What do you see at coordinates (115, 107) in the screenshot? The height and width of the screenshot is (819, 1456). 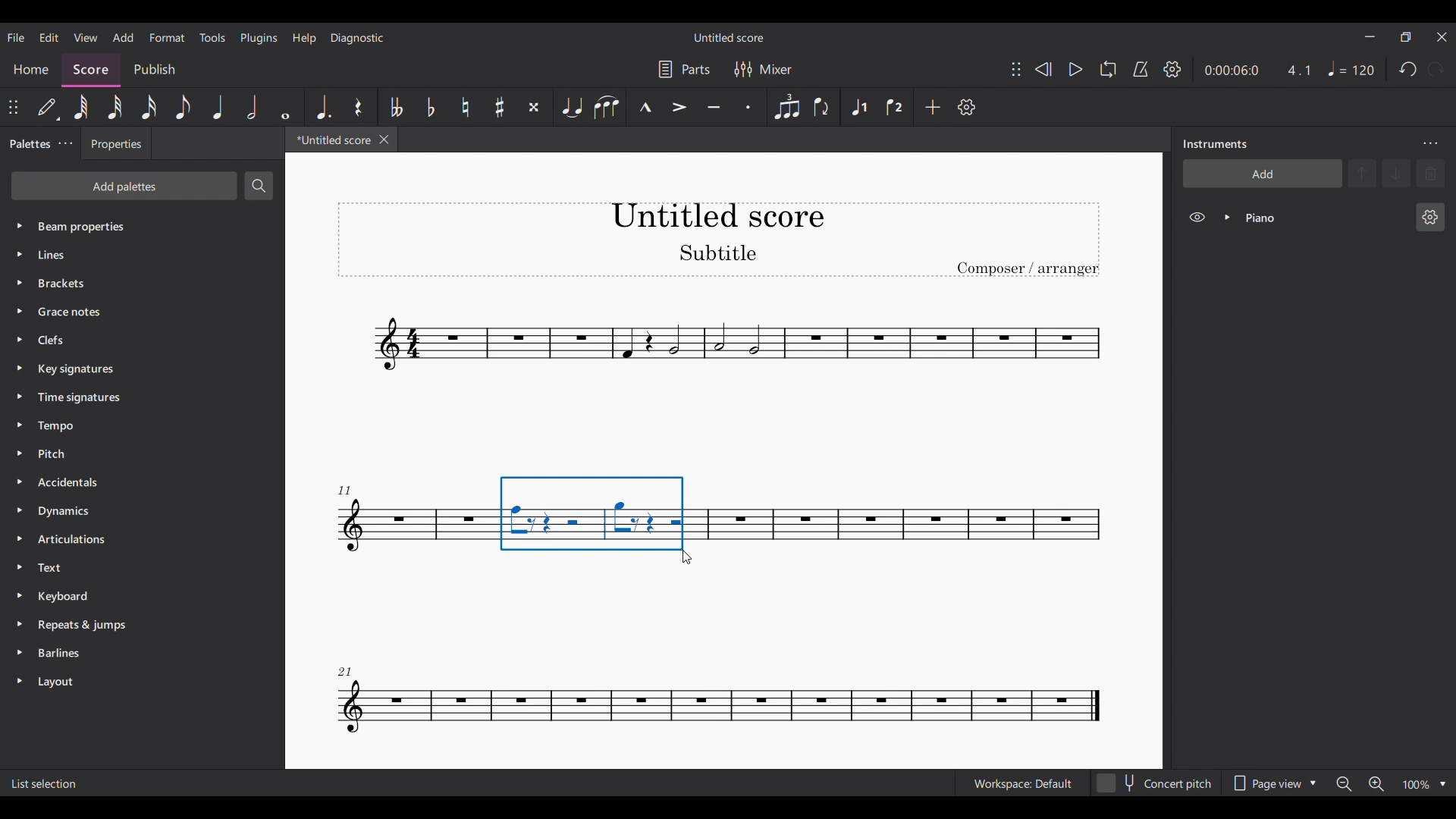 I see `32nd note` at bounding box center [115, 107].